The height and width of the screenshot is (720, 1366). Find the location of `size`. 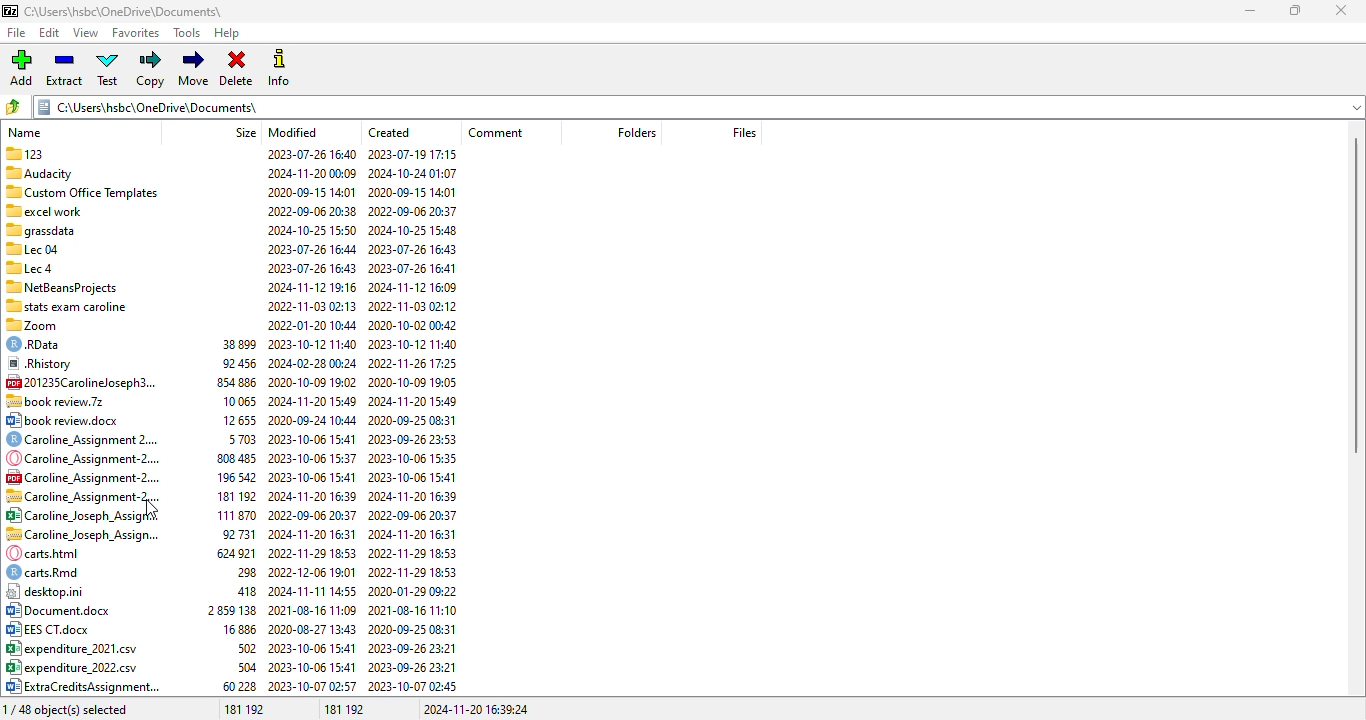

size is located at coordinates (246, 132).